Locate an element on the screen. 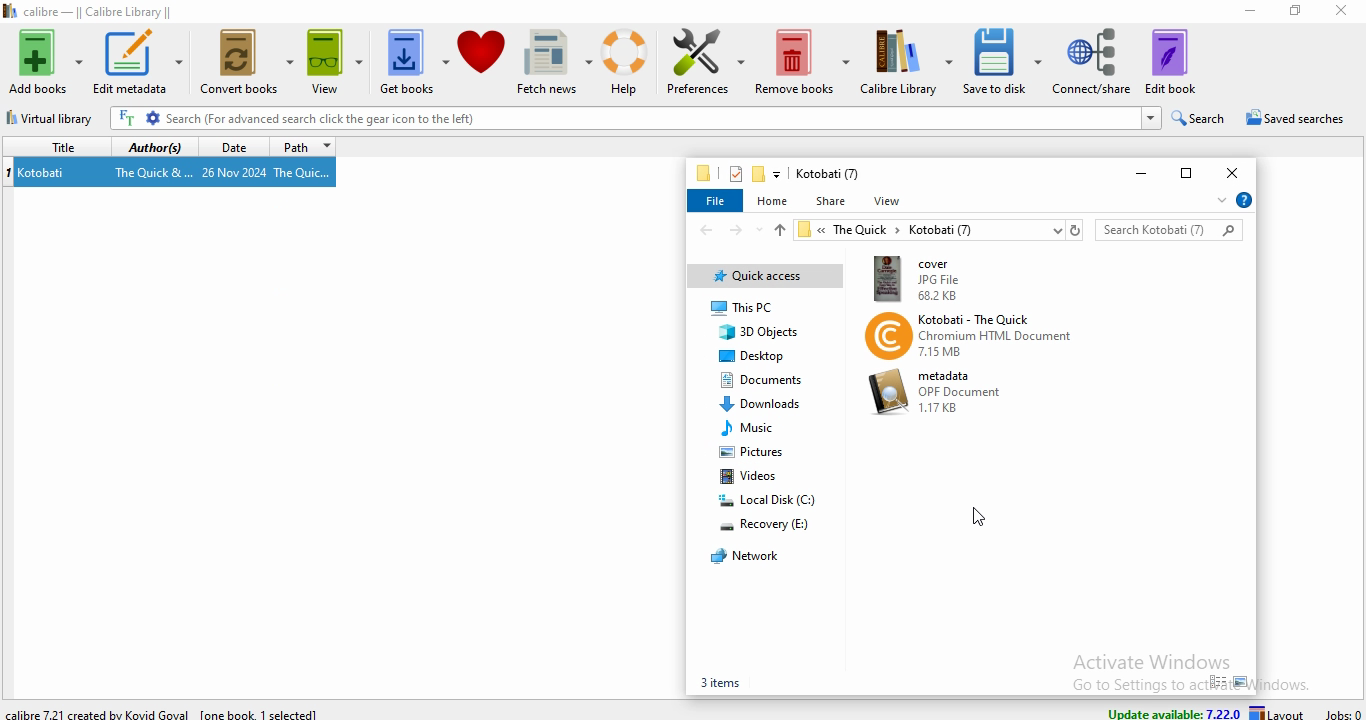 The width and height of the screenshot is (1366, 720). small icon view is located at coordinates (1217, 682).